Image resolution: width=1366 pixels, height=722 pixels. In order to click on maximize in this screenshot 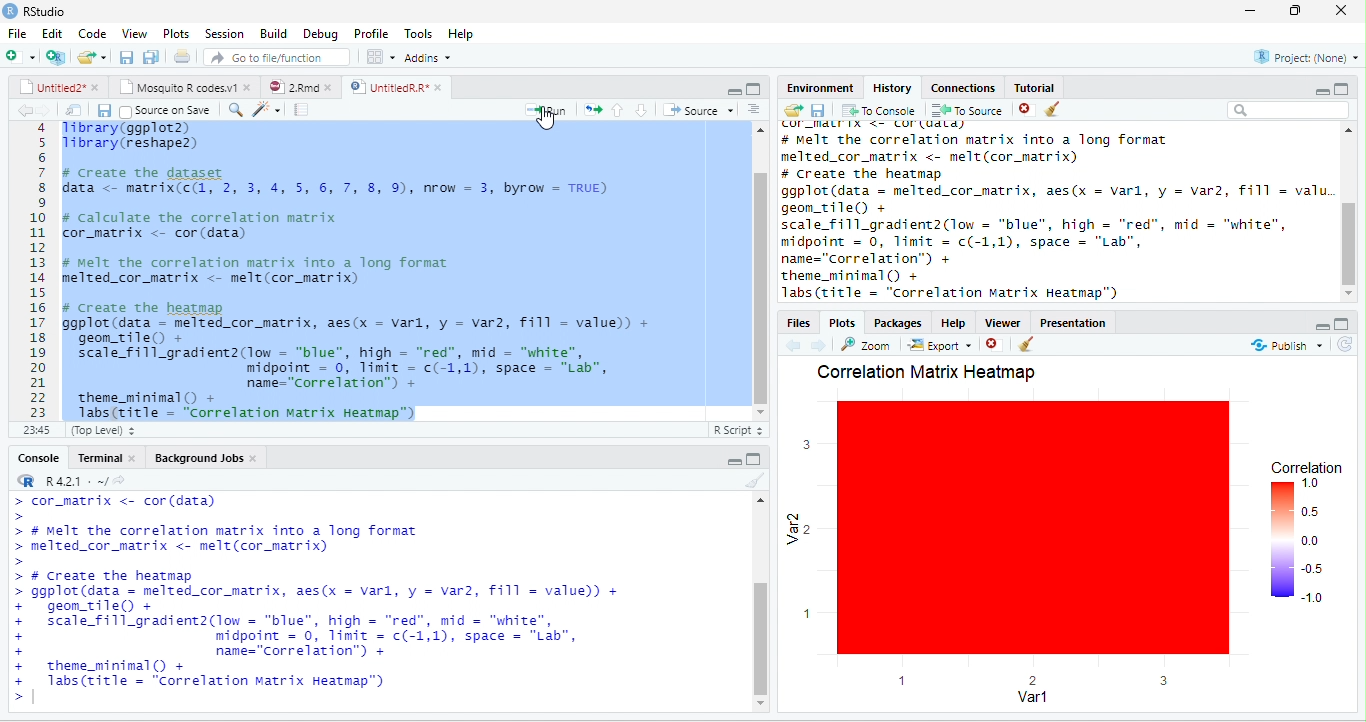, I will do `click(1299, 11)`.